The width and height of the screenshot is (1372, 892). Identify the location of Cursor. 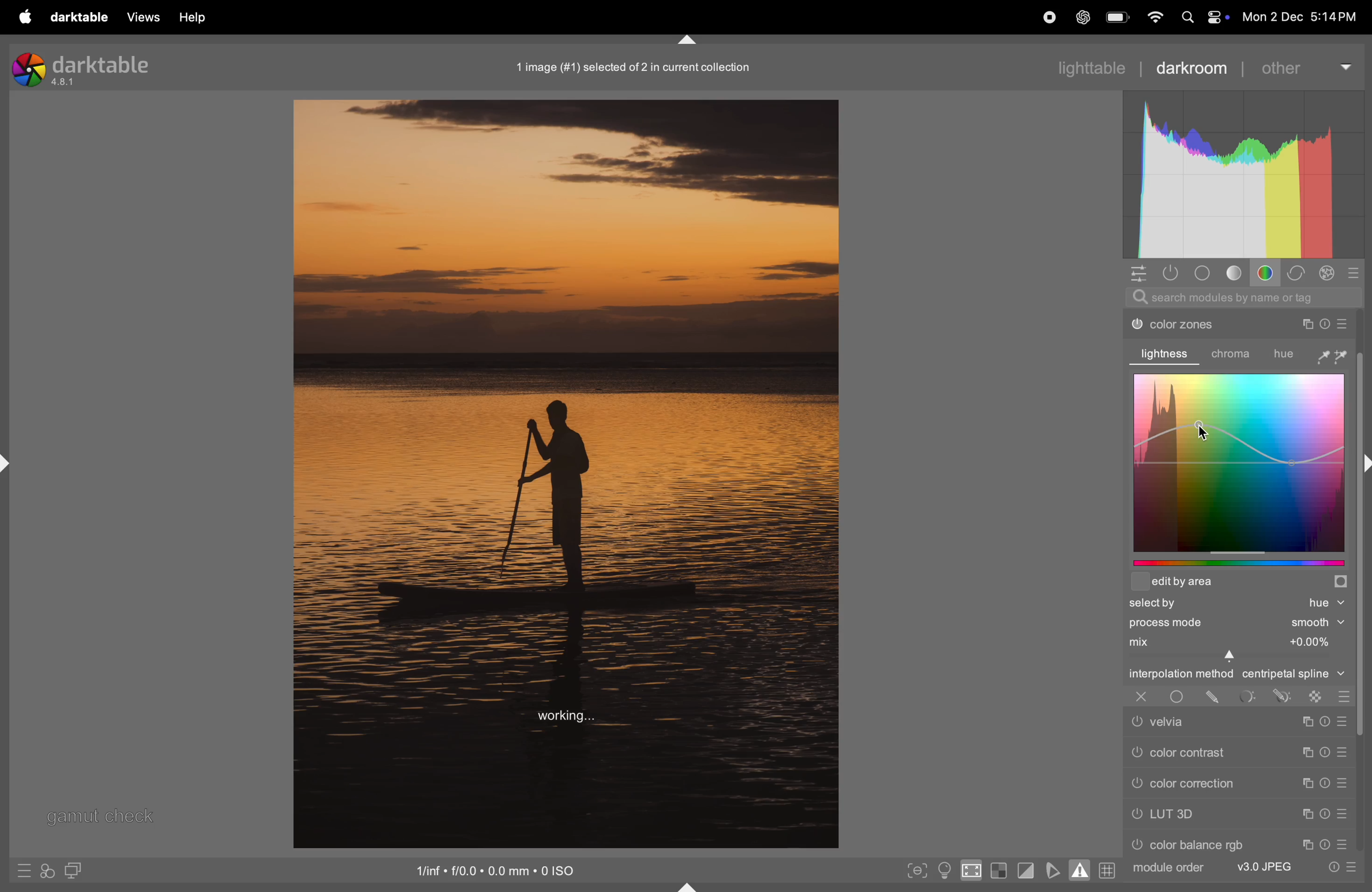
(1232, 657).